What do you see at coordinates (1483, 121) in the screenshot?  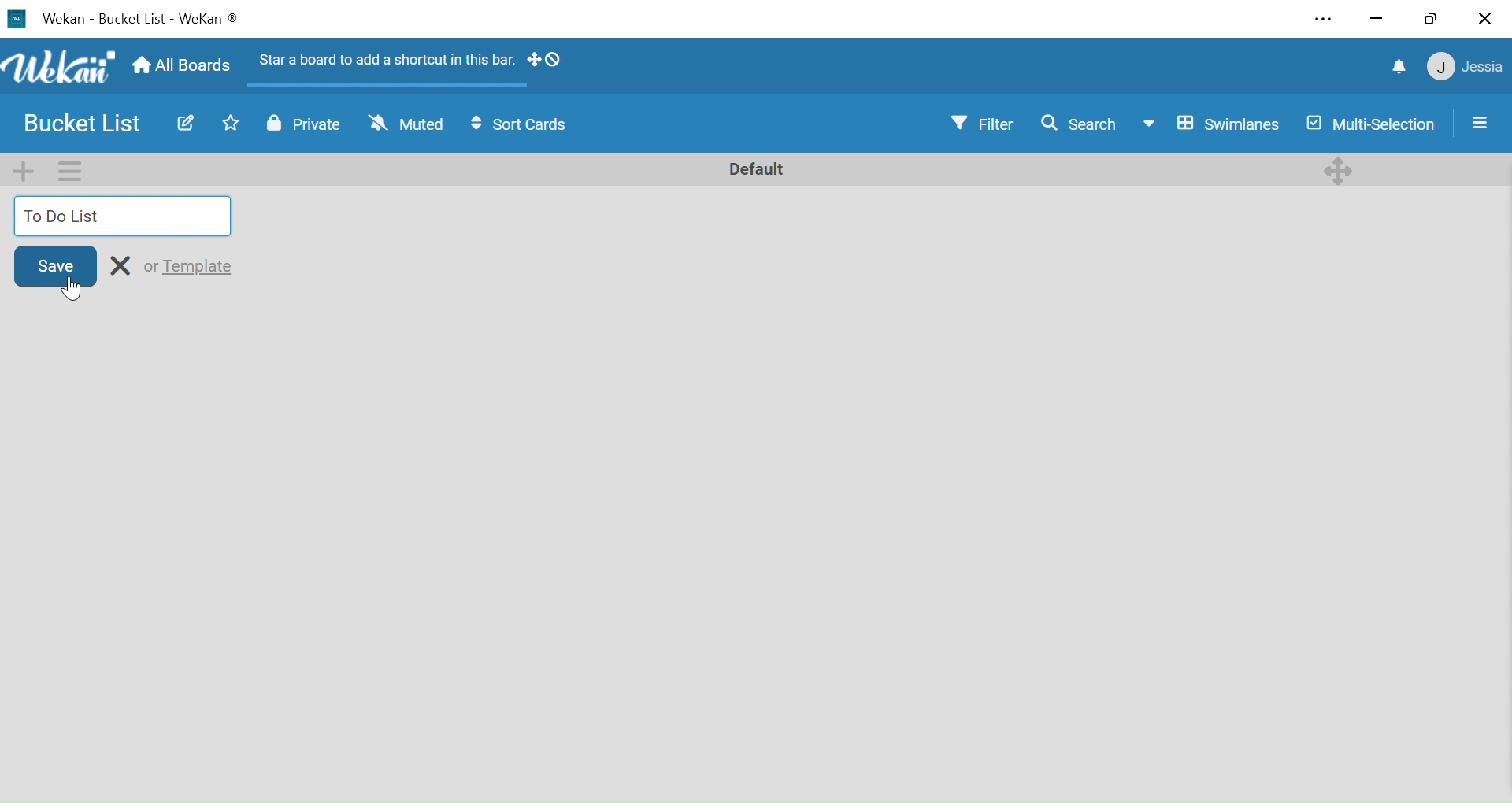 I see `Open/Close Sidebar` at bounding box center [1483, 121].